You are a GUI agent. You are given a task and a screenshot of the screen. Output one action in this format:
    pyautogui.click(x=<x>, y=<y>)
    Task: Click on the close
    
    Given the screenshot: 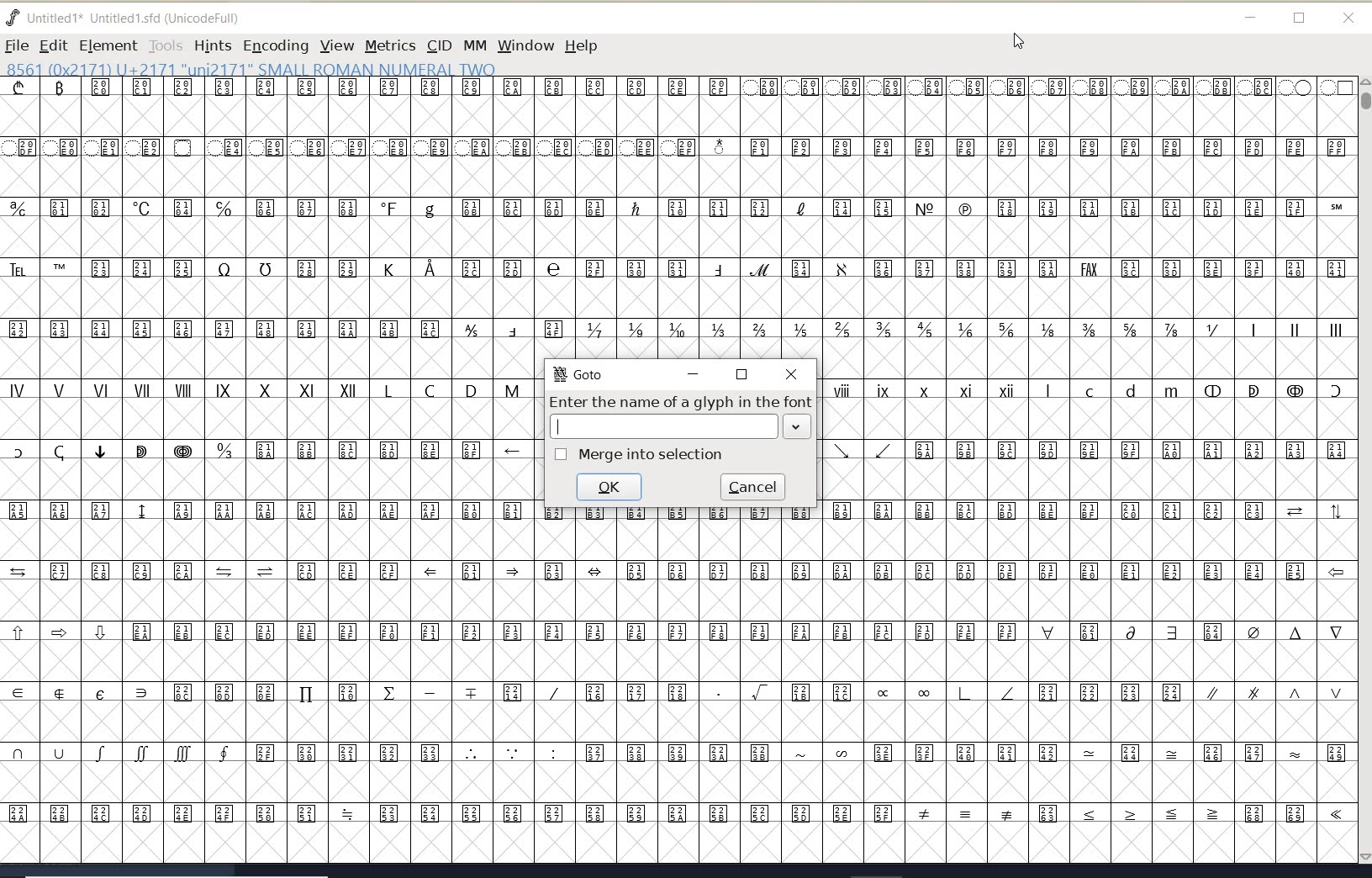 What is the action you would take?
    pyautogui.click(x=1348, y=19)
    